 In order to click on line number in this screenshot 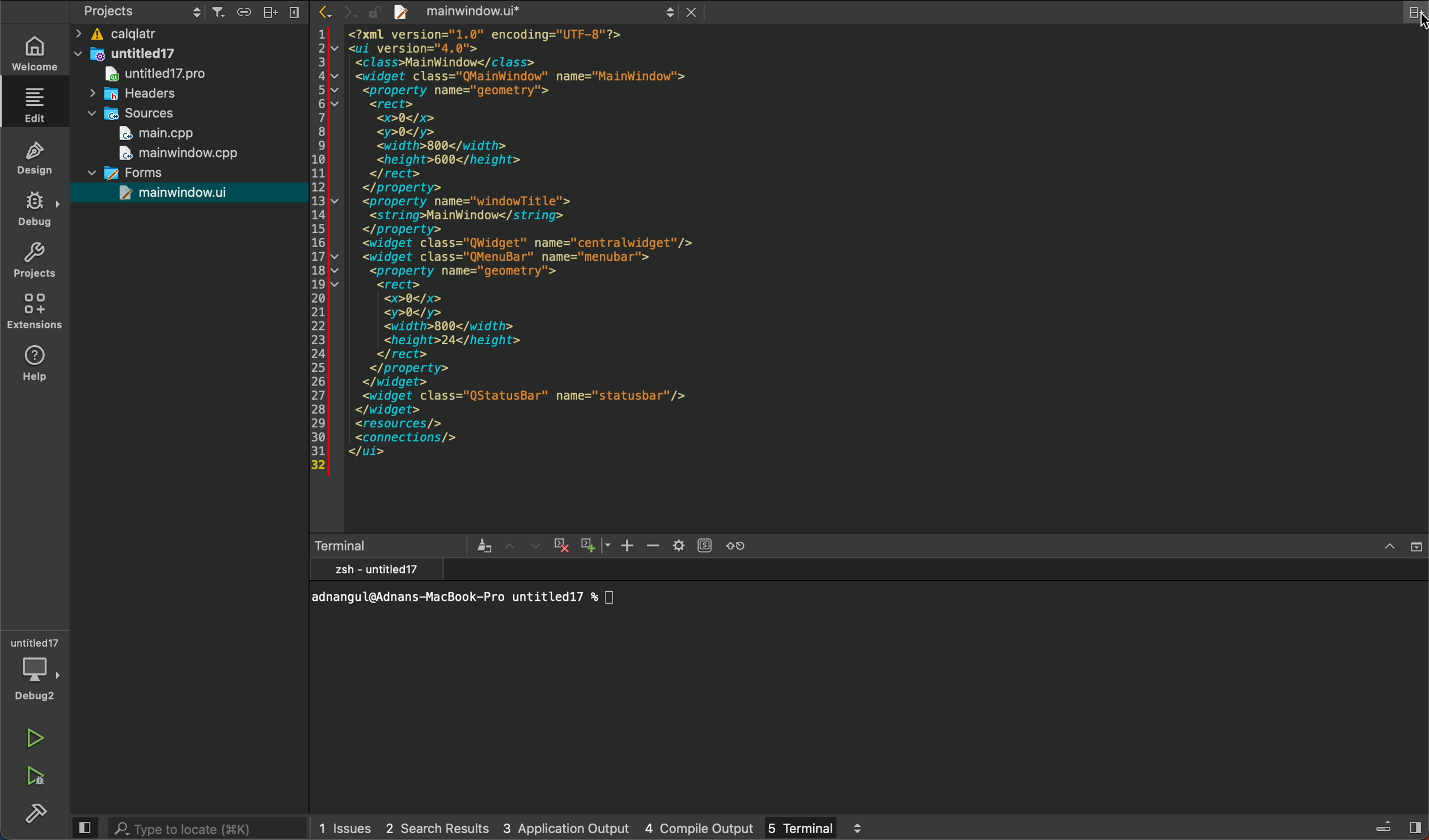, I will do `click(319, 254)`.